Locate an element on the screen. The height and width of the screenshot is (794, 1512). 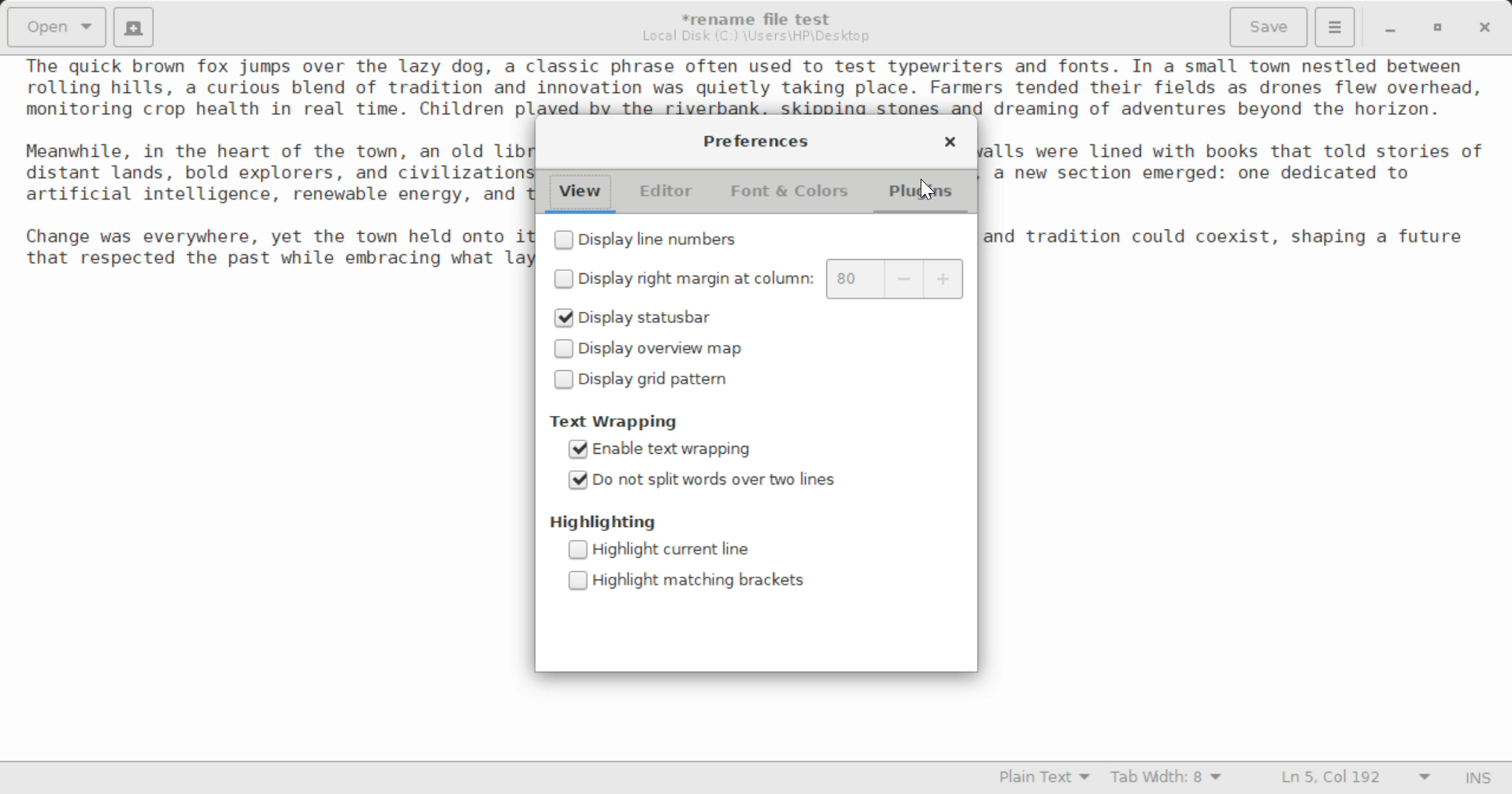
Display right margin at column is located at coordinates (681, 280).